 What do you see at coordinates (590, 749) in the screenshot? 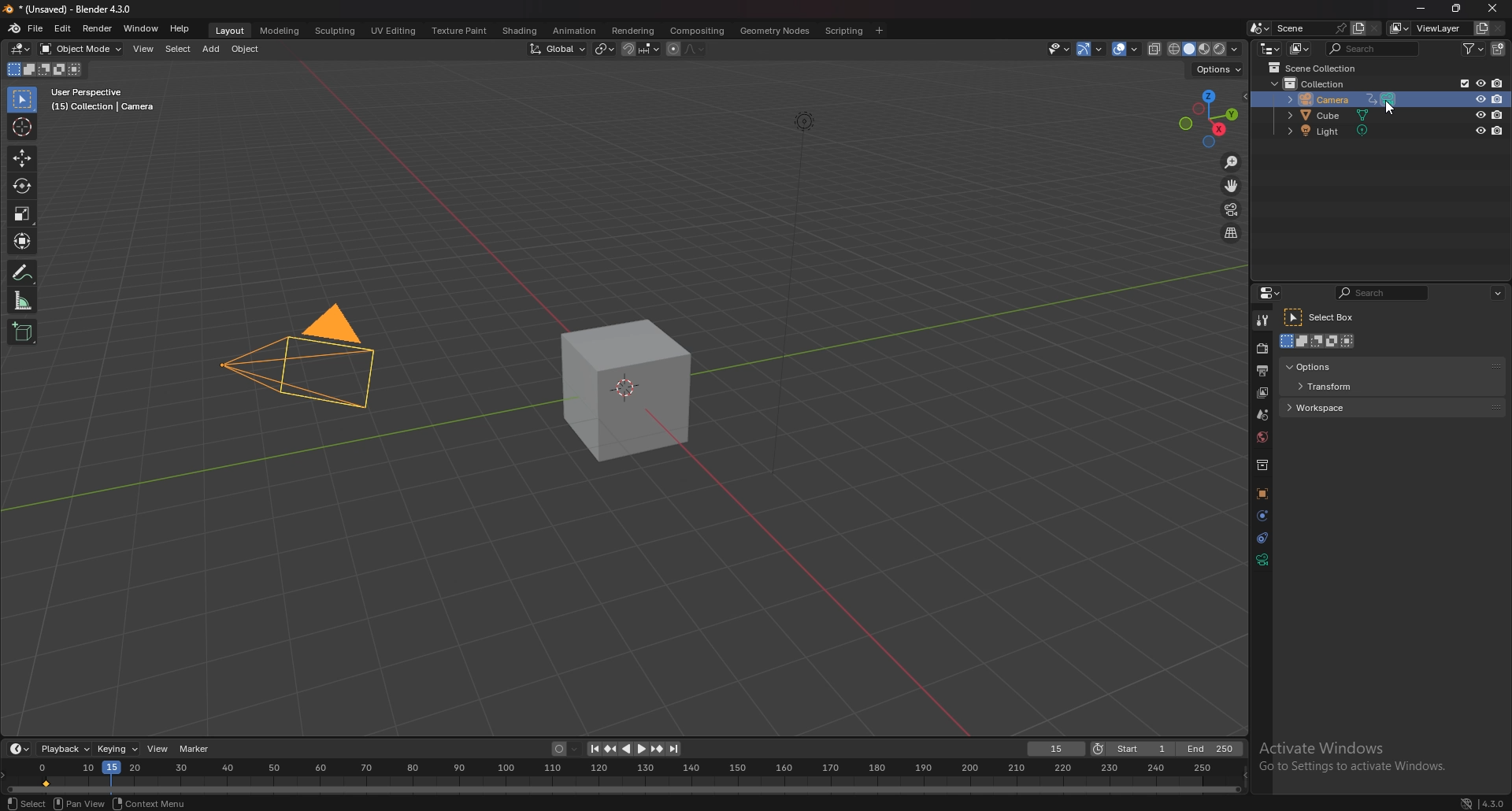
I see `jump to endpoint` at bounding box center [590, 749].